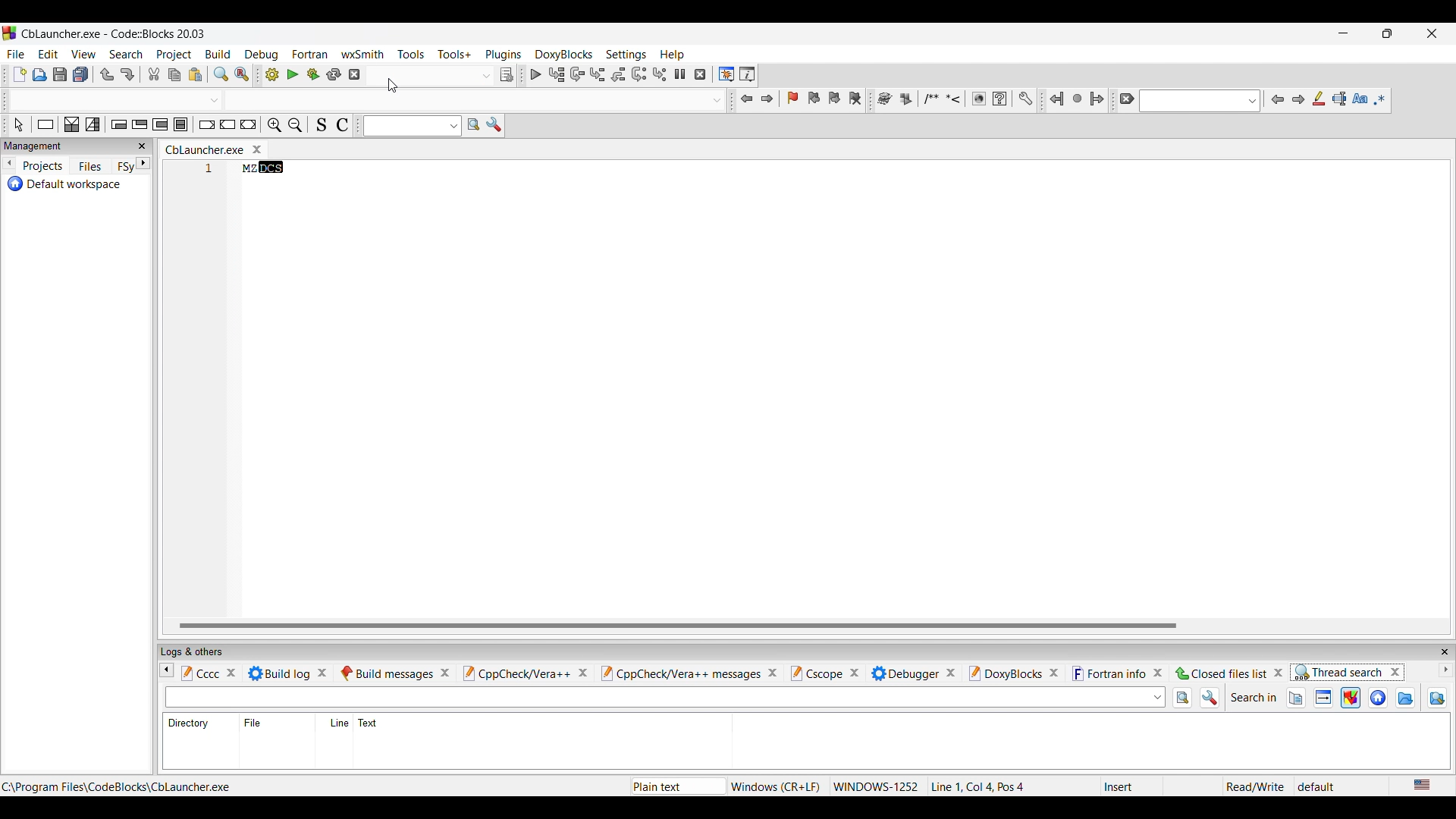 The height and width of the screenshot is (819, 1456). Describe the element at coordinates (293, 74) in the screenshot. I see `Run` at that location.